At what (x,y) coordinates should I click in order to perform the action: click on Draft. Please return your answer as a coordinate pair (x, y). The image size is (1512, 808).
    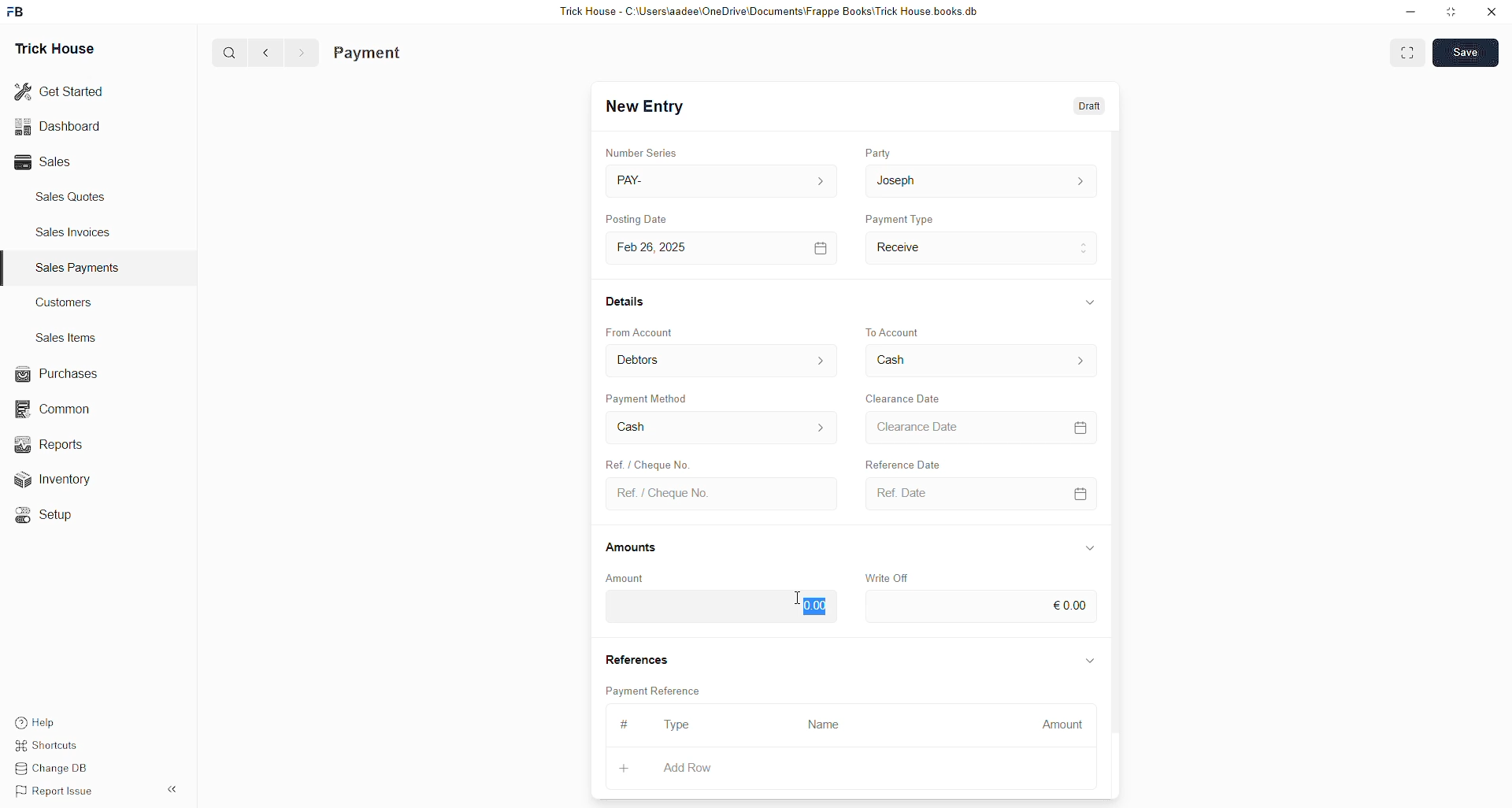
    Looking at the image, I should click on (1091, 105).